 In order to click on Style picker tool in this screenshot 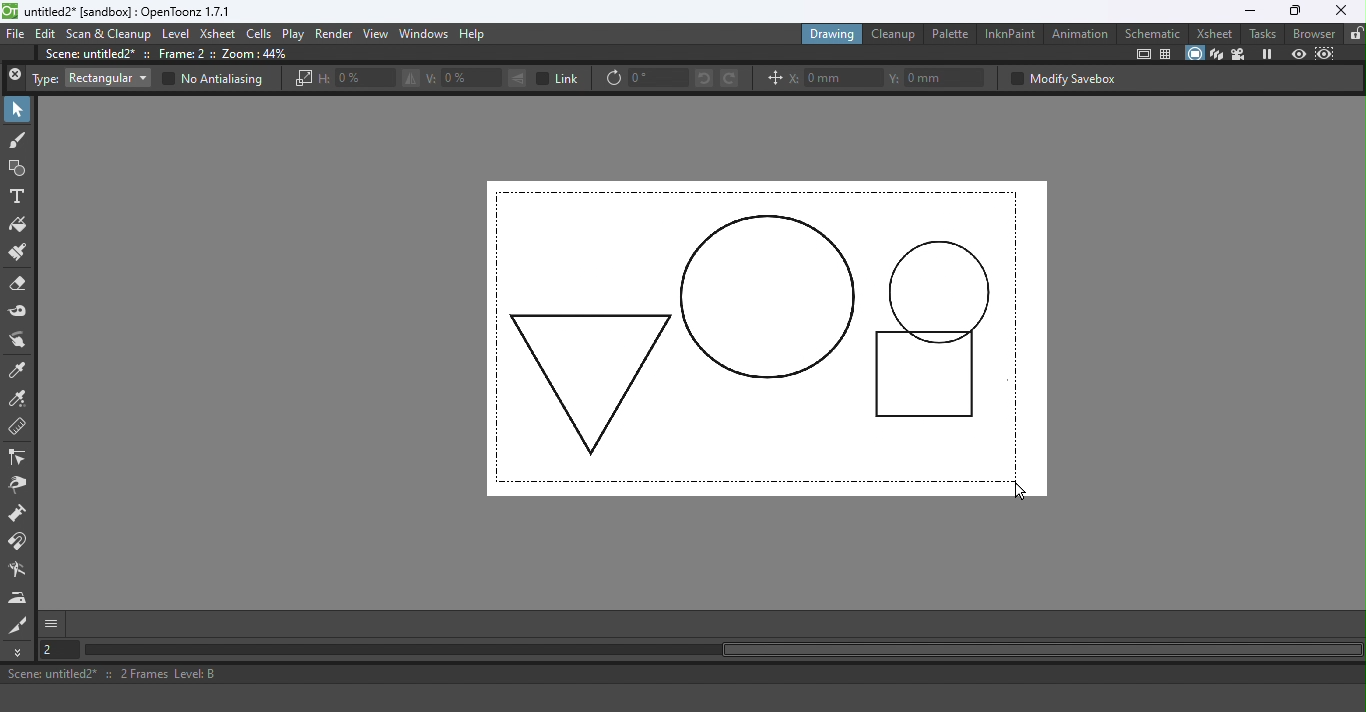, I will do `click(20, 370)`.